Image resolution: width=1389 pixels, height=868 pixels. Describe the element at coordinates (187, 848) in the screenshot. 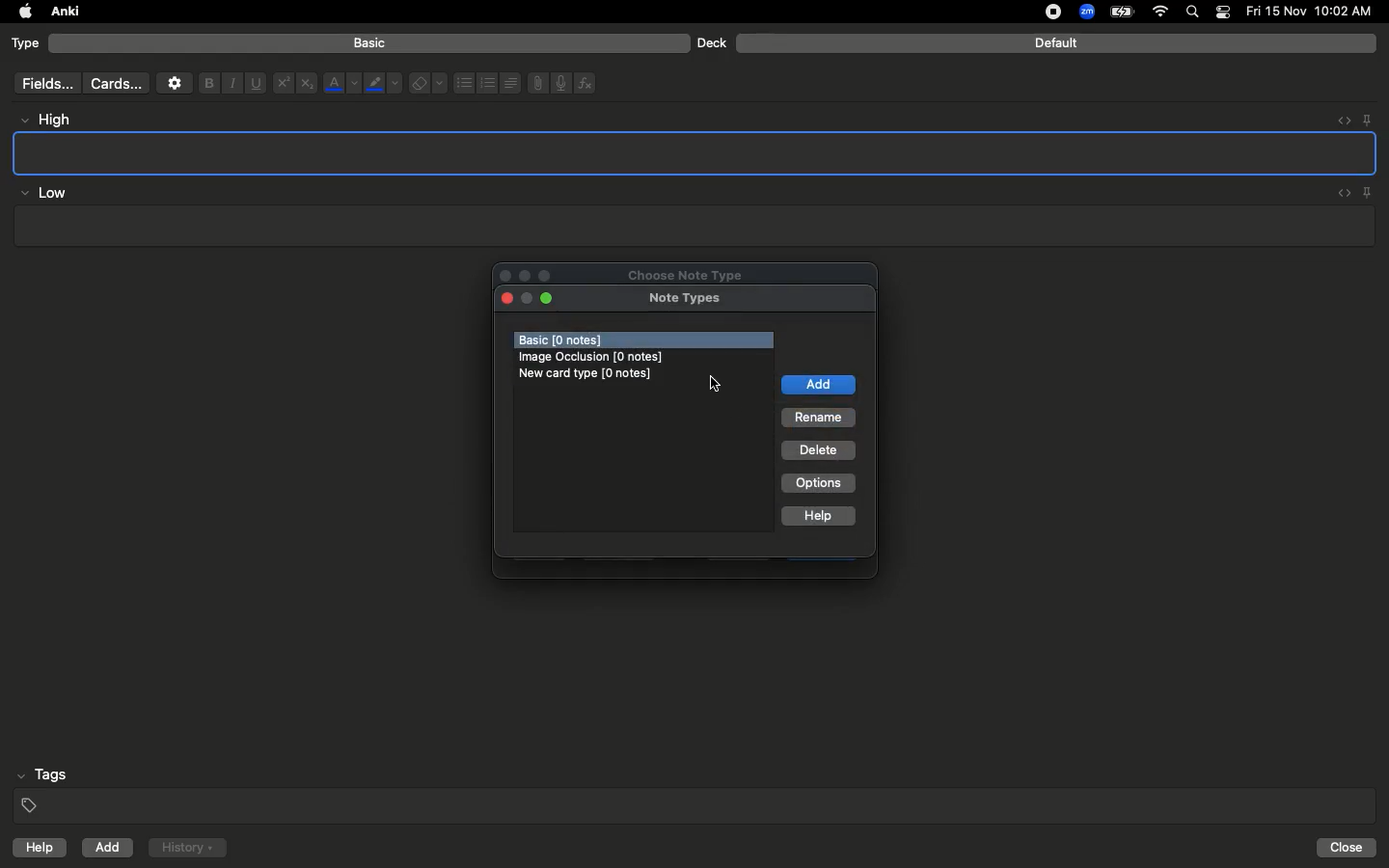

I see `History` at that location.